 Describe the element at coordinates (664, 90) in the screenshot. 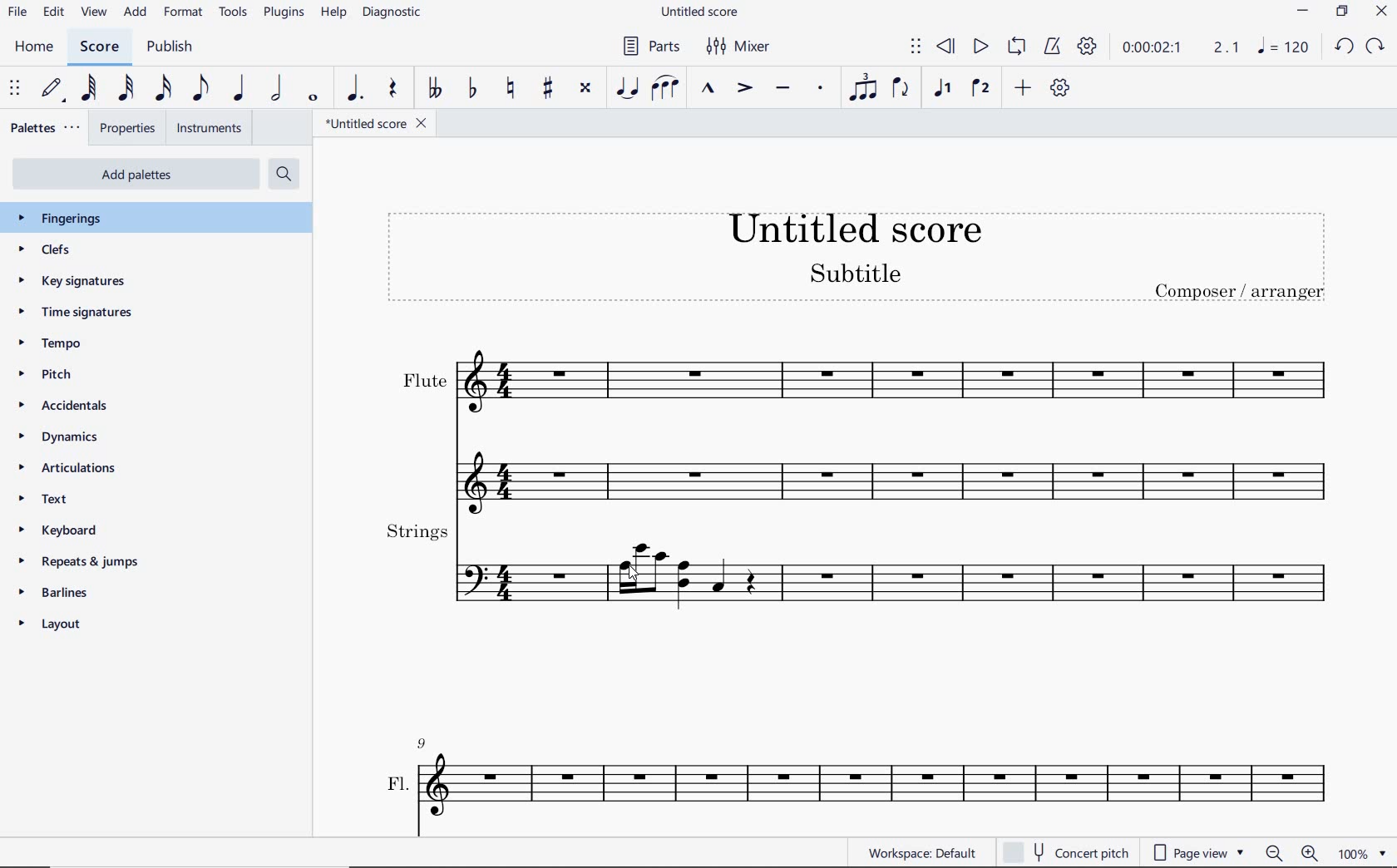

I see `slur` at that location.